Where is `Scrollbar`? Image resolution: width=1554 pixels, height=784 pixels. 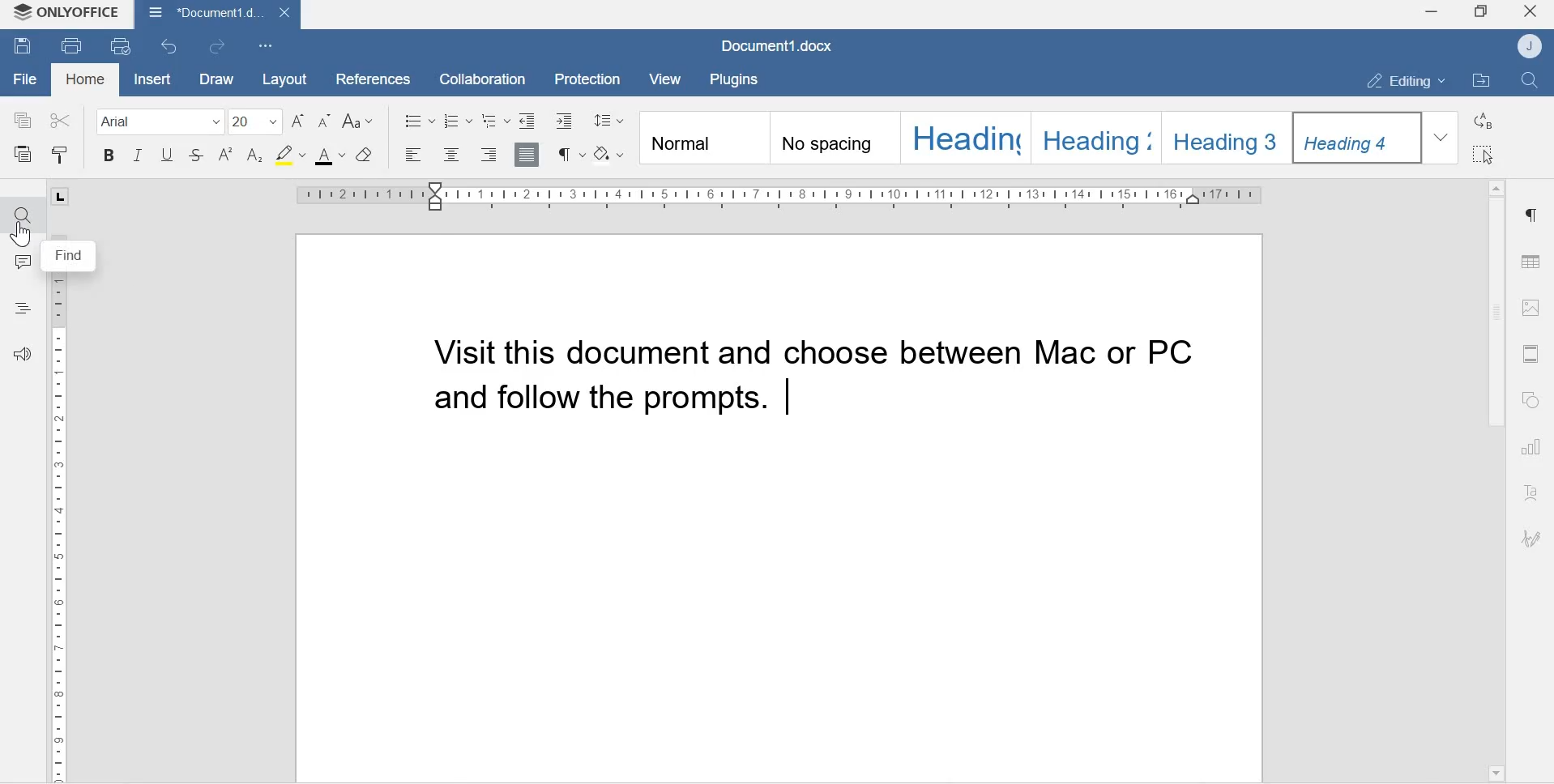
Scrollbar is located at coordinates (1494, 314).